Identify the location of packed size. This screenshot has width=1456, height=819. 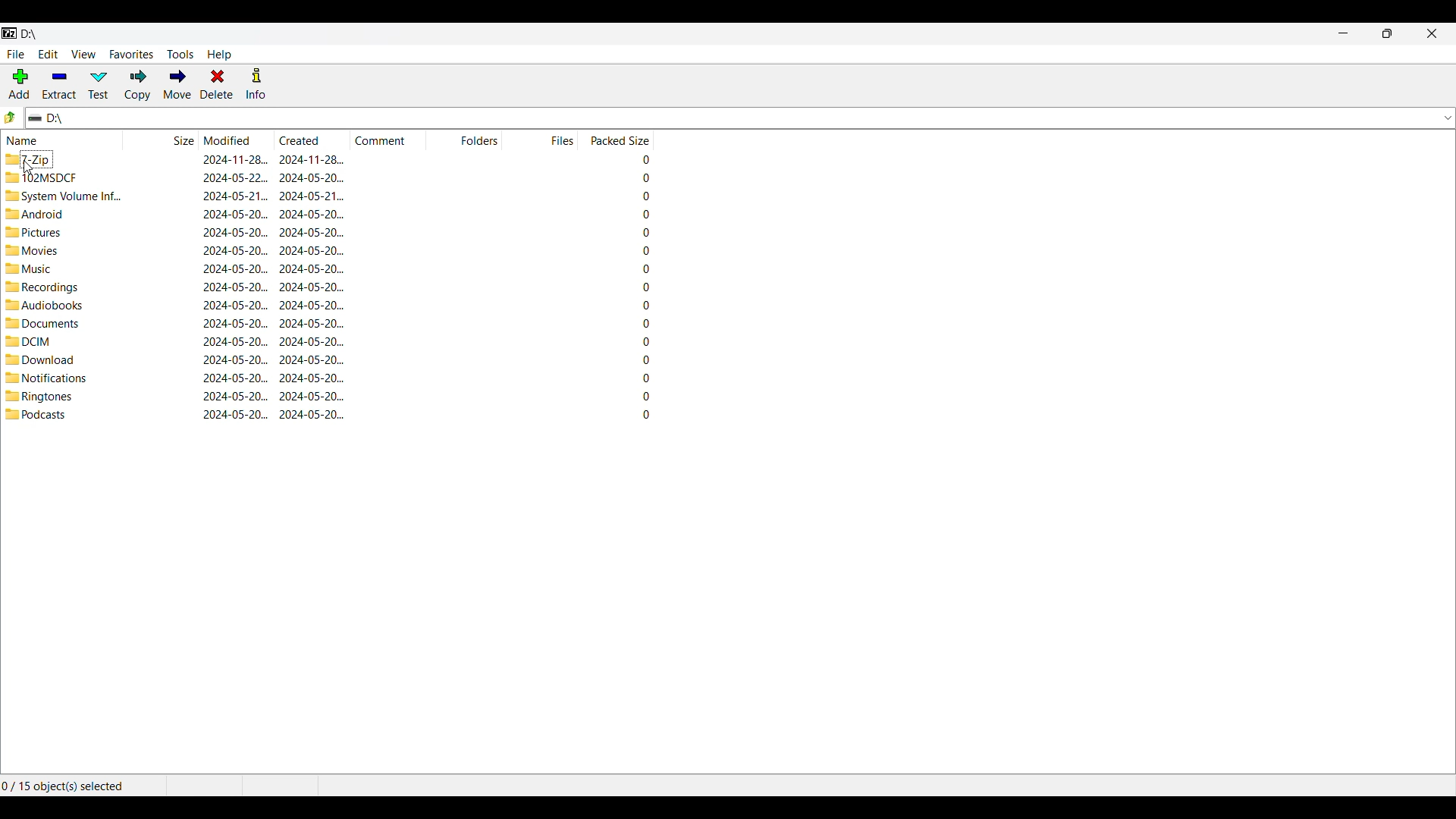
(637, 177).